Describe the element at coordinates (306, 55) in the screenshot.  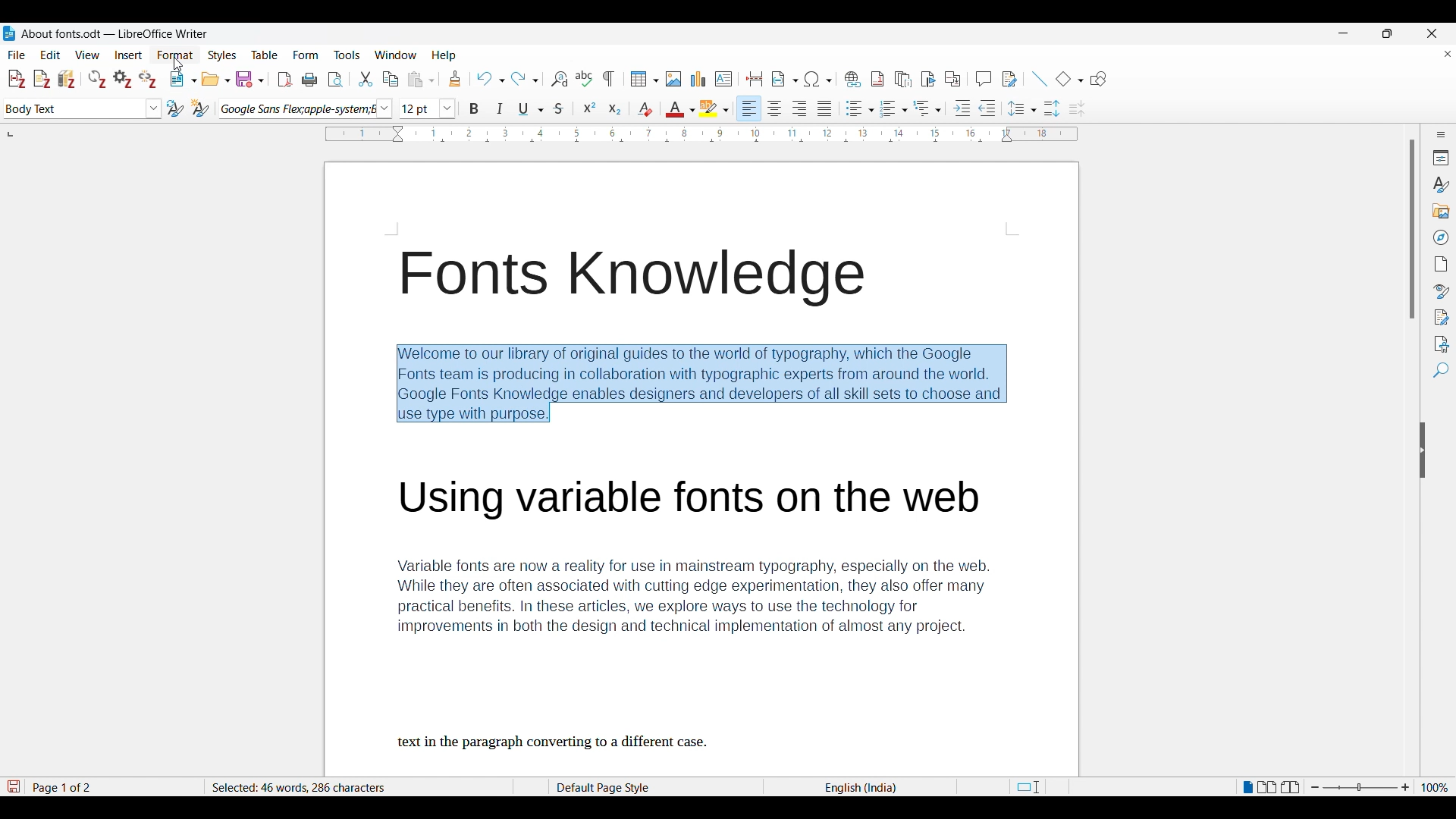
I see `Form menu` at that location.